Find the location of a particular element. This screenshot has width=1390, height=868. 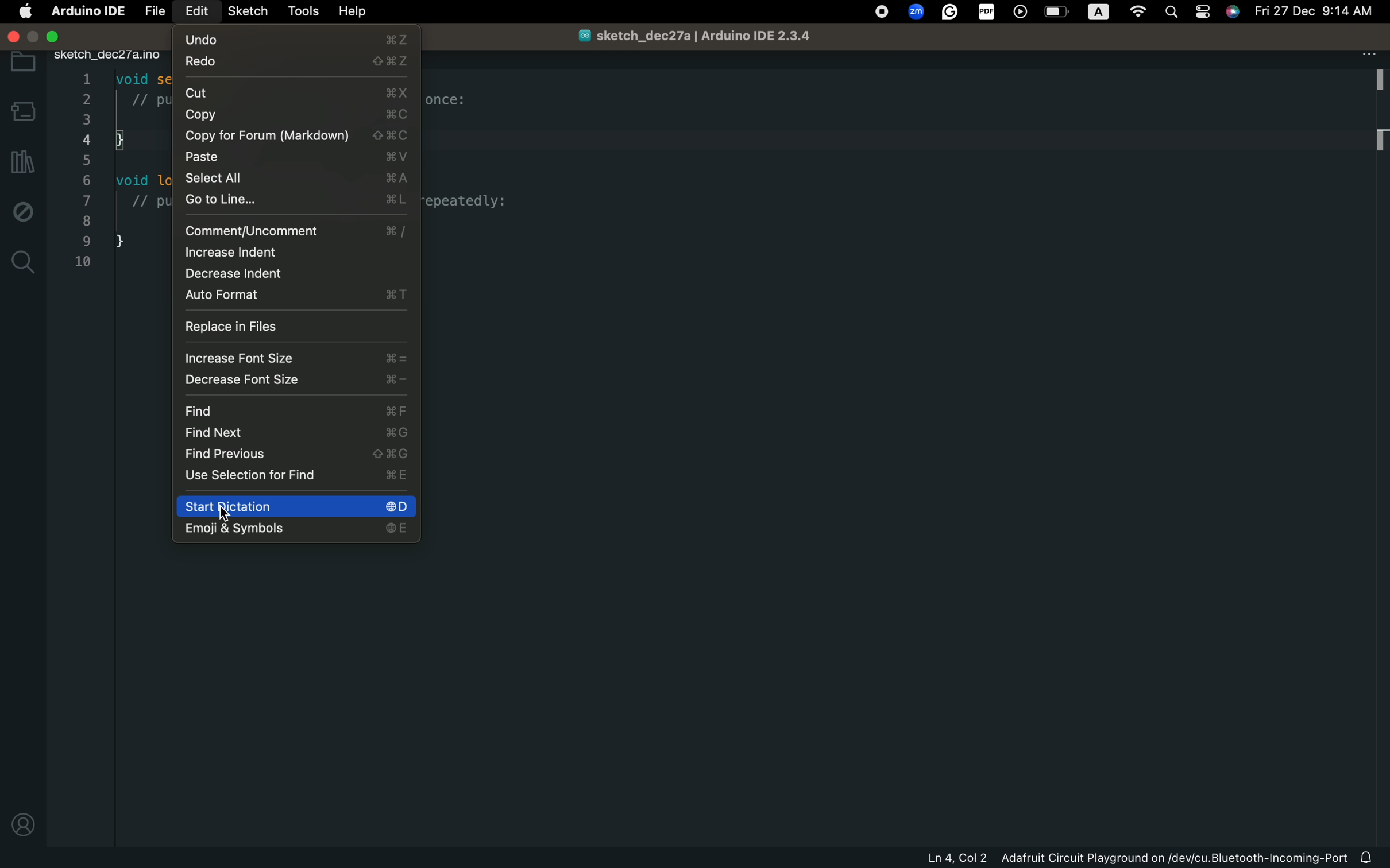

sketch_dec27/a.ino is located at coordinates (108, 56).